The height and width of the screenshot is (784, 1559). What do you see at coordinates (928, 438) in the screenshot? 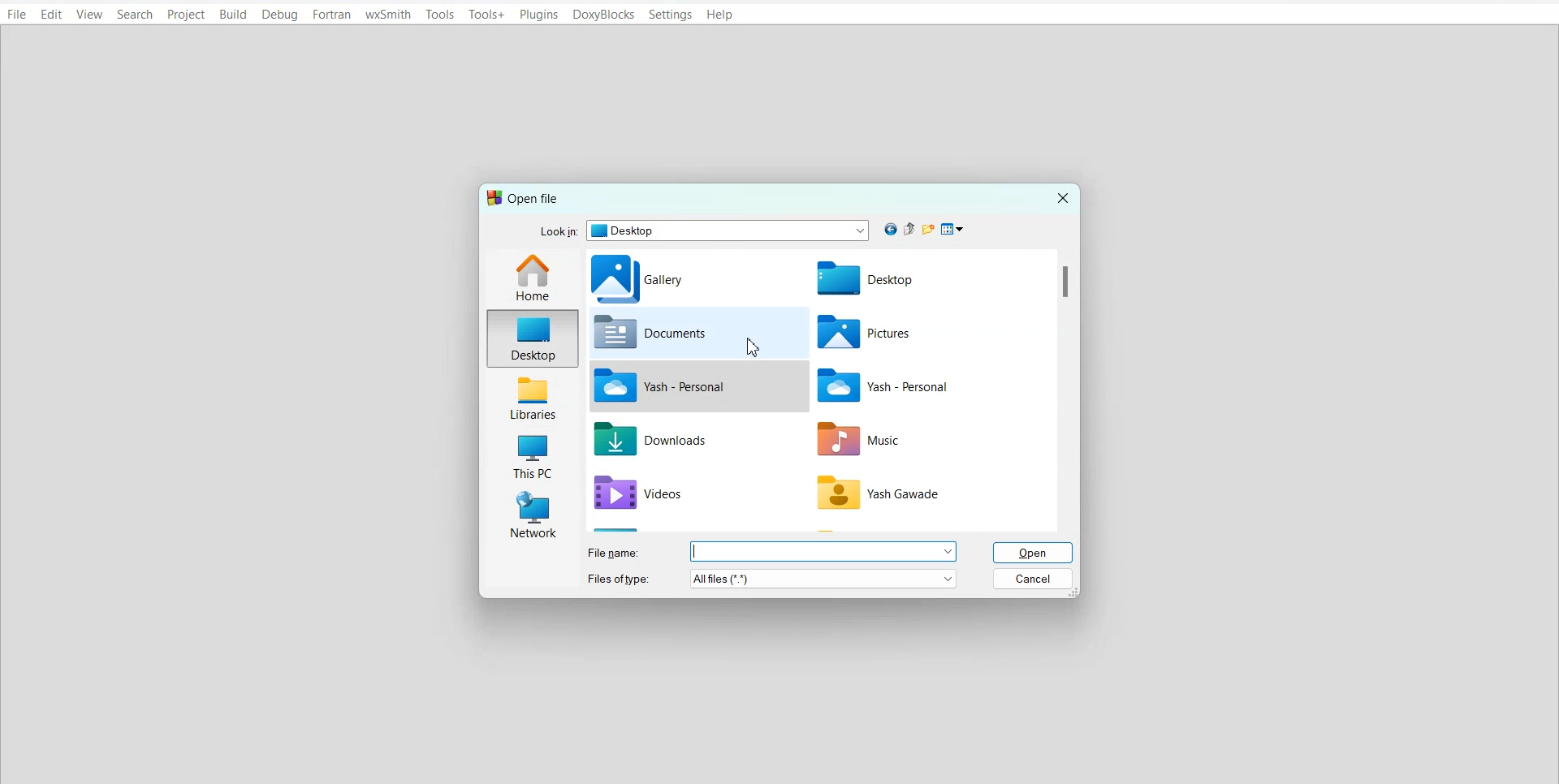
I see `Music` at bounding box center [928, 438].